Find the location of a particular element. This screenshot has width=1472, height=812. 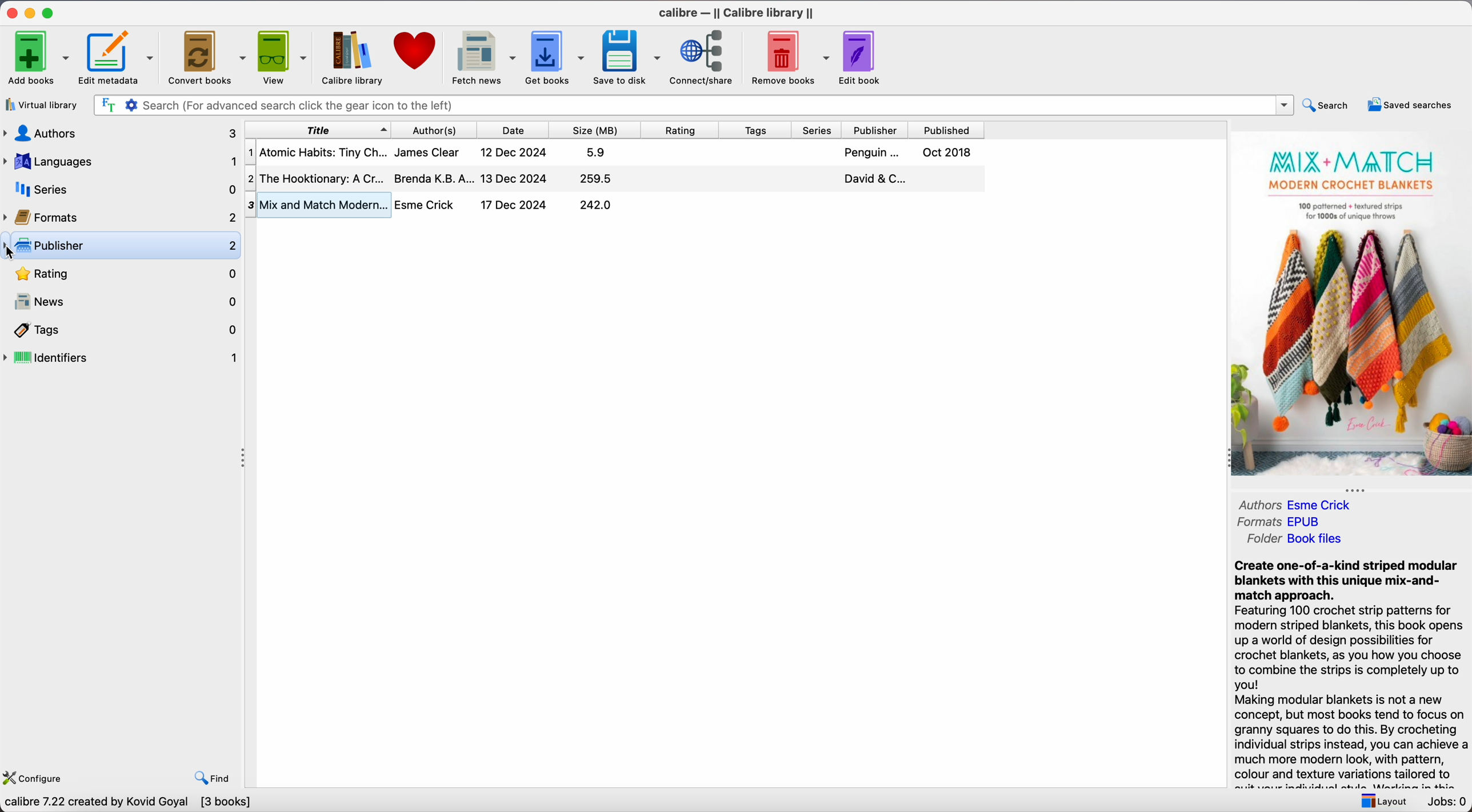

published is located at coordinates (947, 130).